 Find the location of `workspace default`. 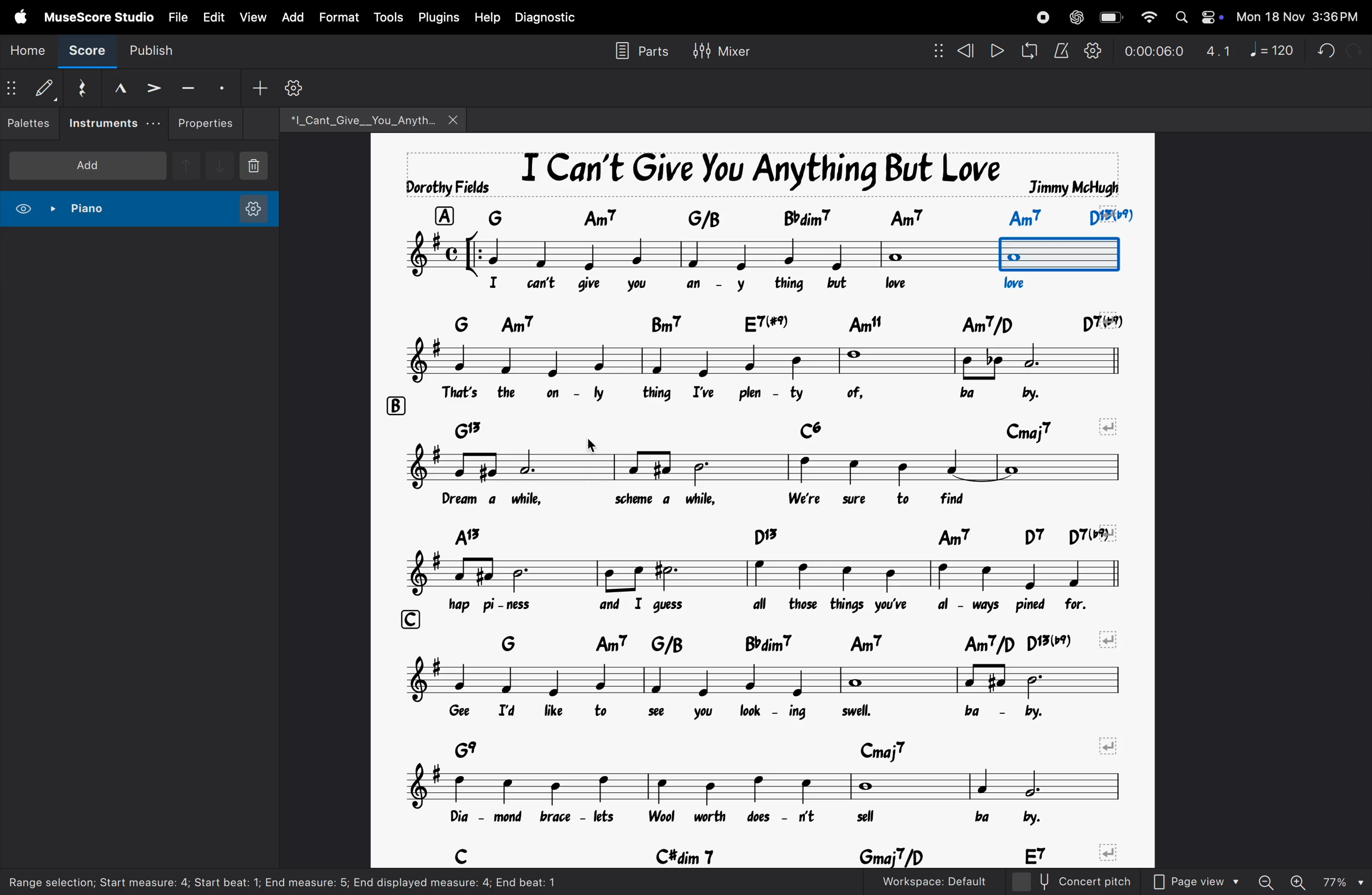

workspace default is located at coordinates (934, 881).